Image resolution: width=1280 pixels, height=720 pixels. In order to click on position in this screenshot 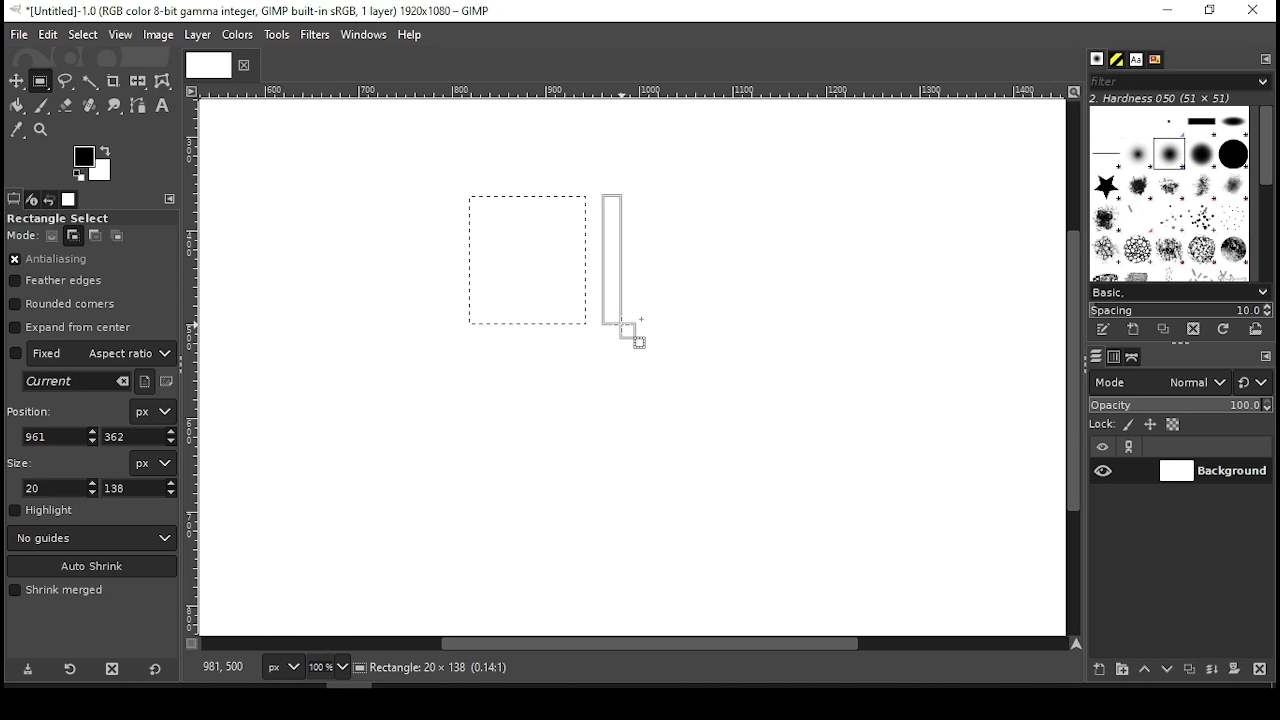, I will do `click(33, 409)`.